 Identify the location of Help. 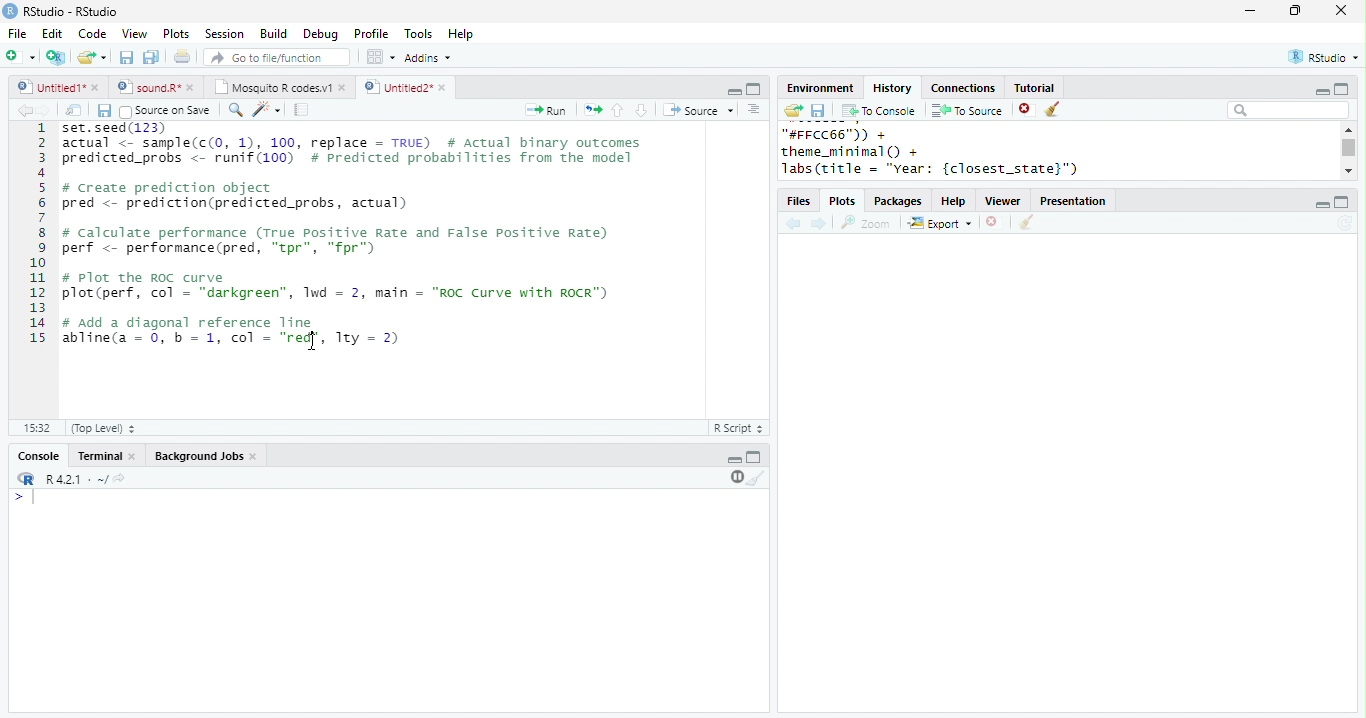
(461, 35).